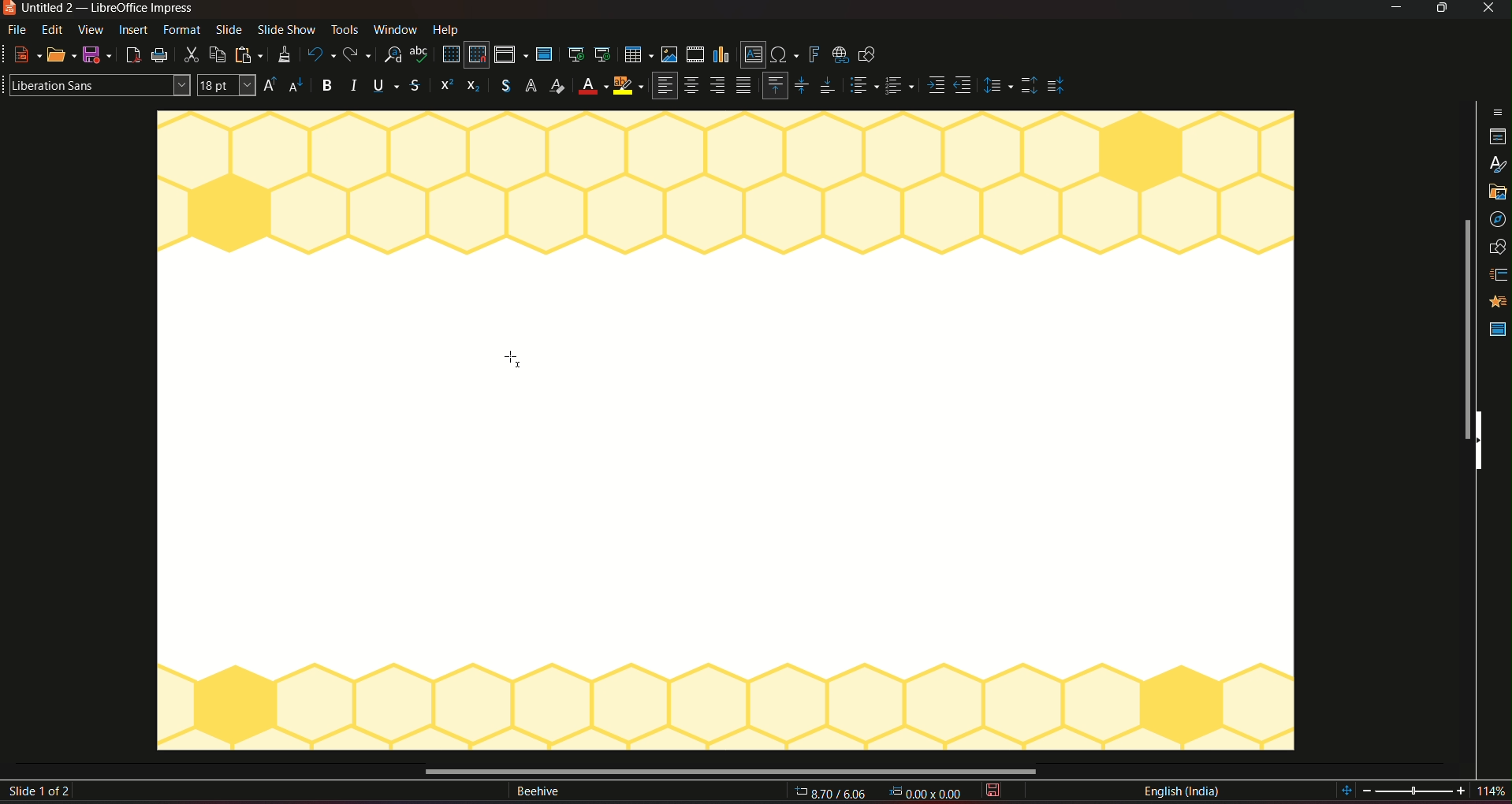  Describe the element at coordinates (273, 85) in the screenshot. I see `size increase` at that location.